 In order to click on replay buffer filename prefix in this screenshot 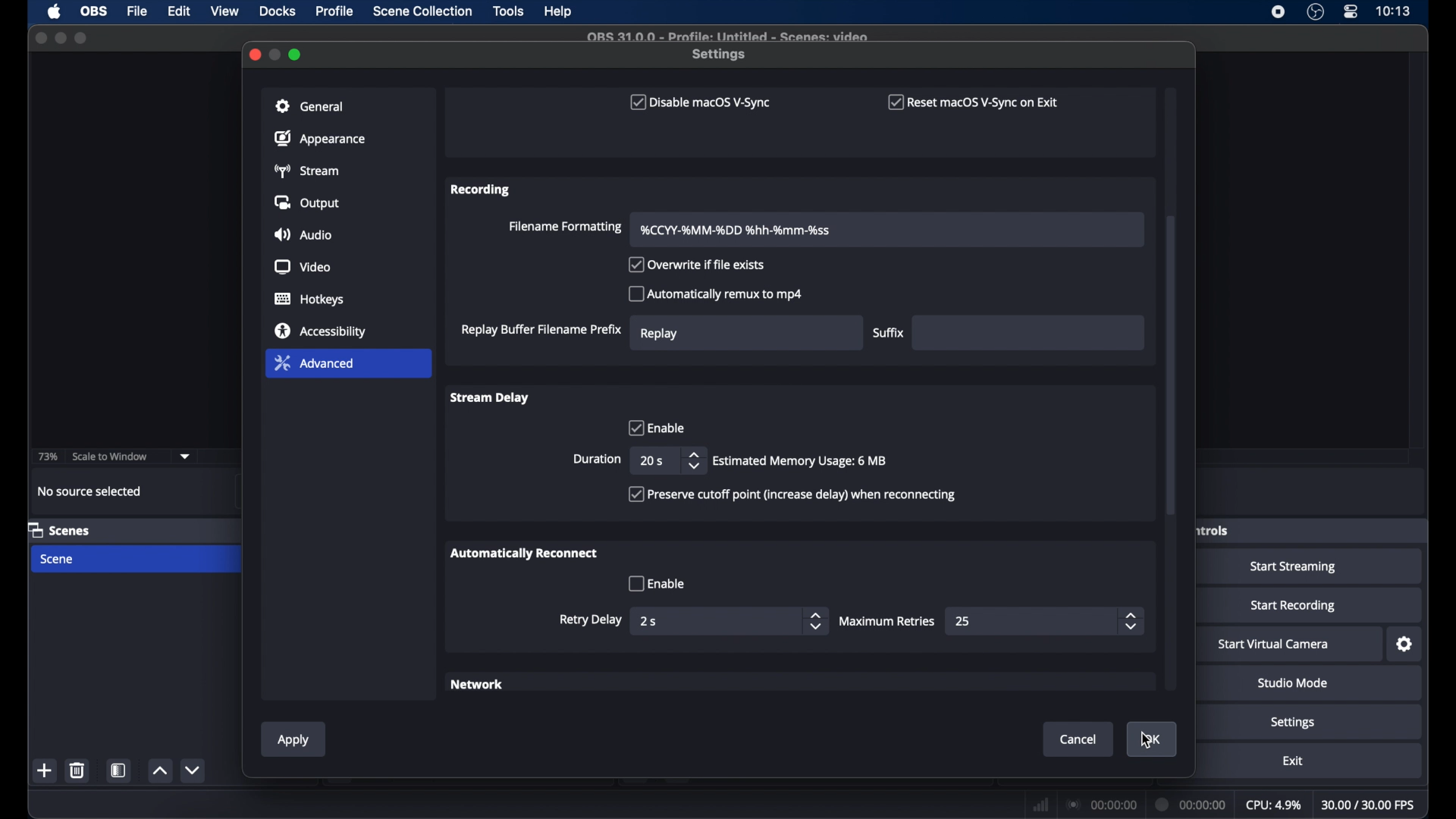, I will do `click(541, 330)`.